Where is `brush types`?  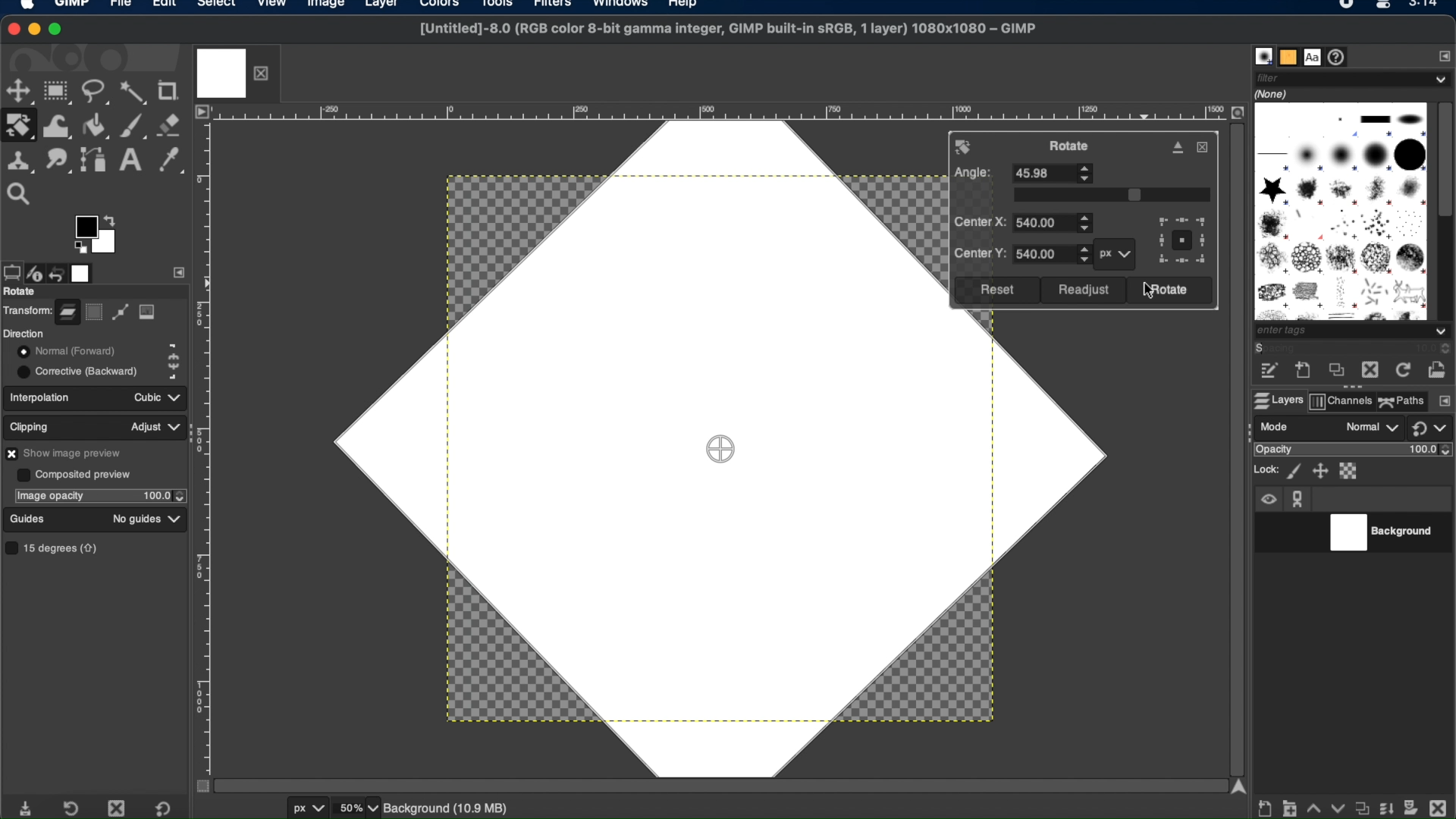 brush types is located at coordinates (1340, 211).